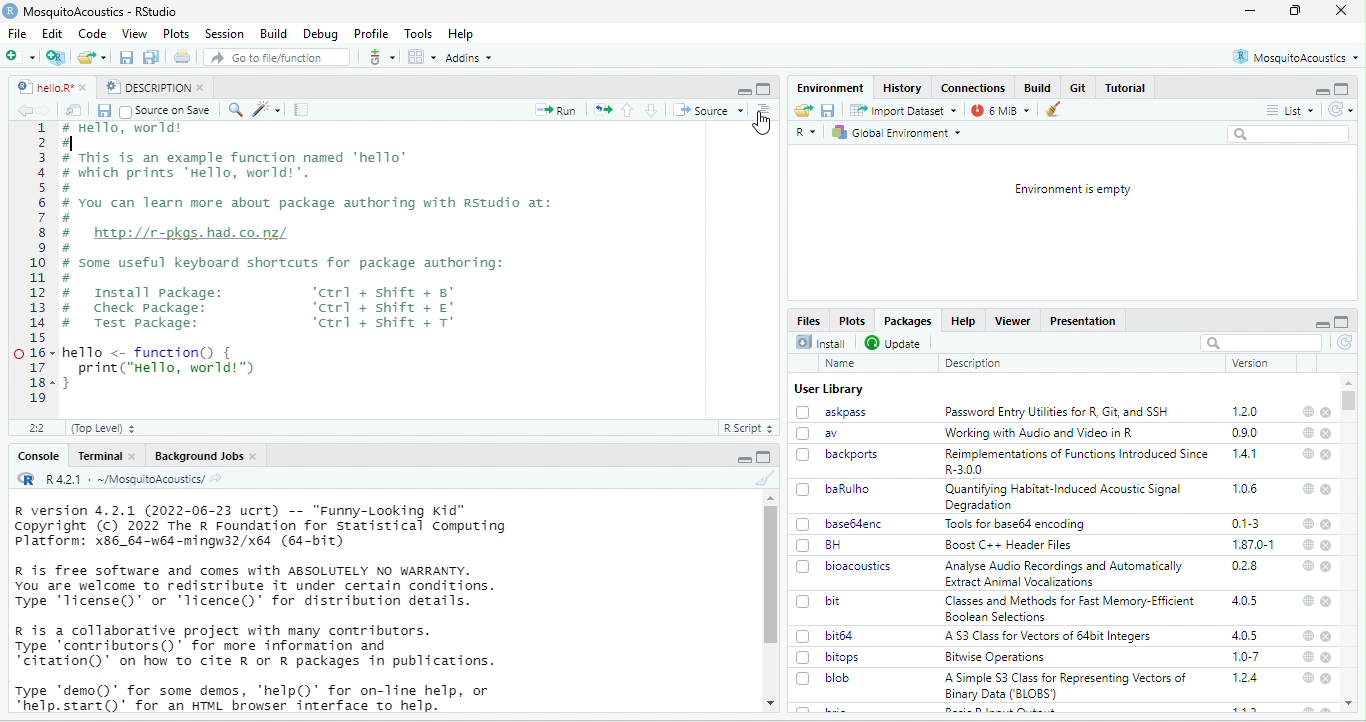 This screenshot has height=722, width=1366. What do you see at coordinates (1353, 402) in the screenshot?
I see `scroll bar` at bounding box center [1353, 402].